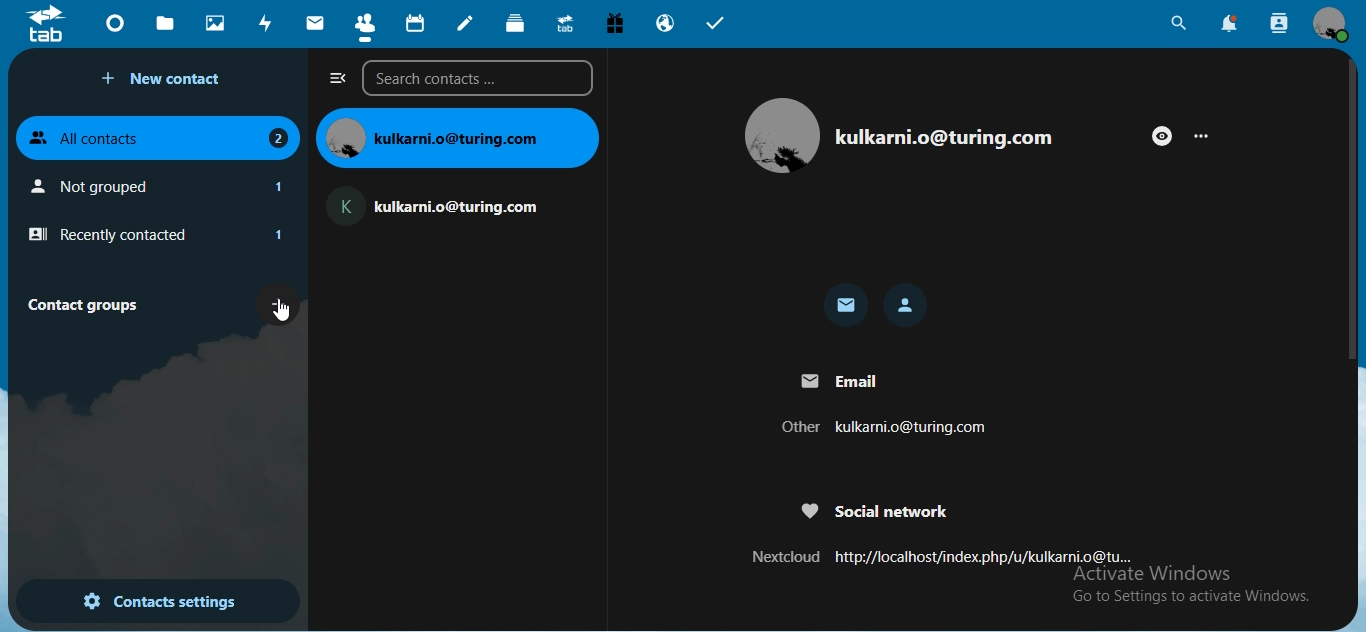 The height and width of the screenshot is (632, 1366). Describe the element at coordinates (439, 205) in the screenshot. I see `kulkarni.o@turing.com` at that location.